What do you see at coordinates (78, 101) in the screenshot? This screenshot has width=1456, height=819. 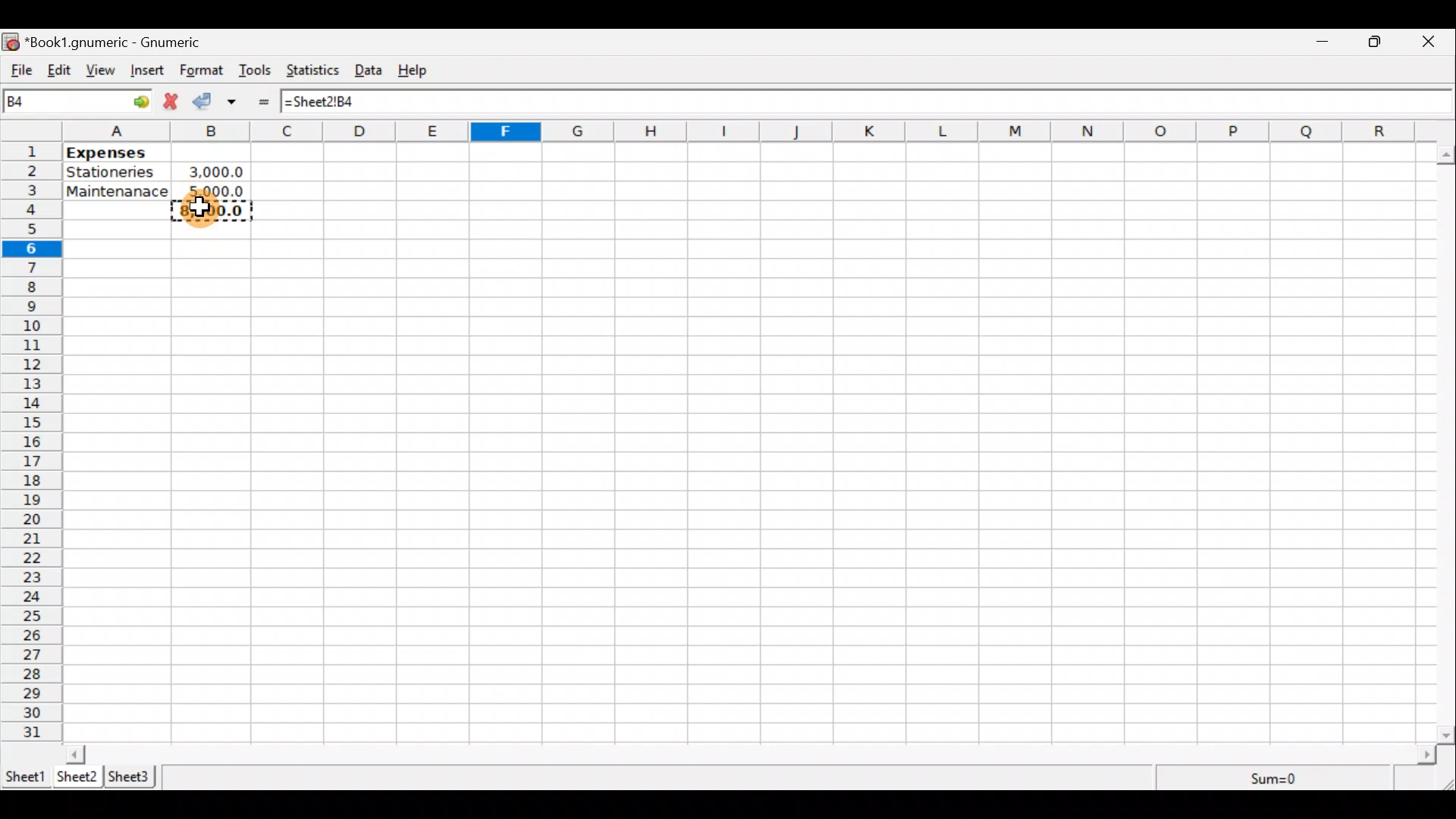 I see `Cell name` at bounding box center [78, 101].